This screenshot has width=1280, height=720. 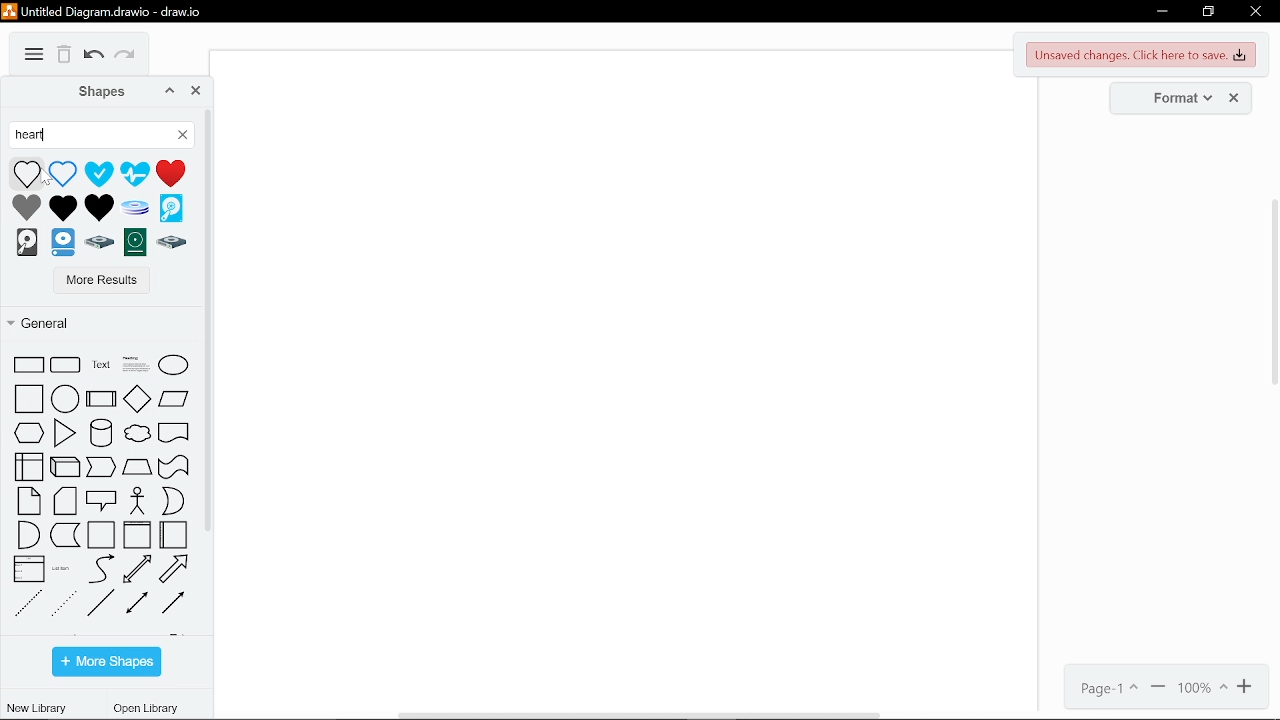 I want to click on shapes, so click(x=91, y=91).